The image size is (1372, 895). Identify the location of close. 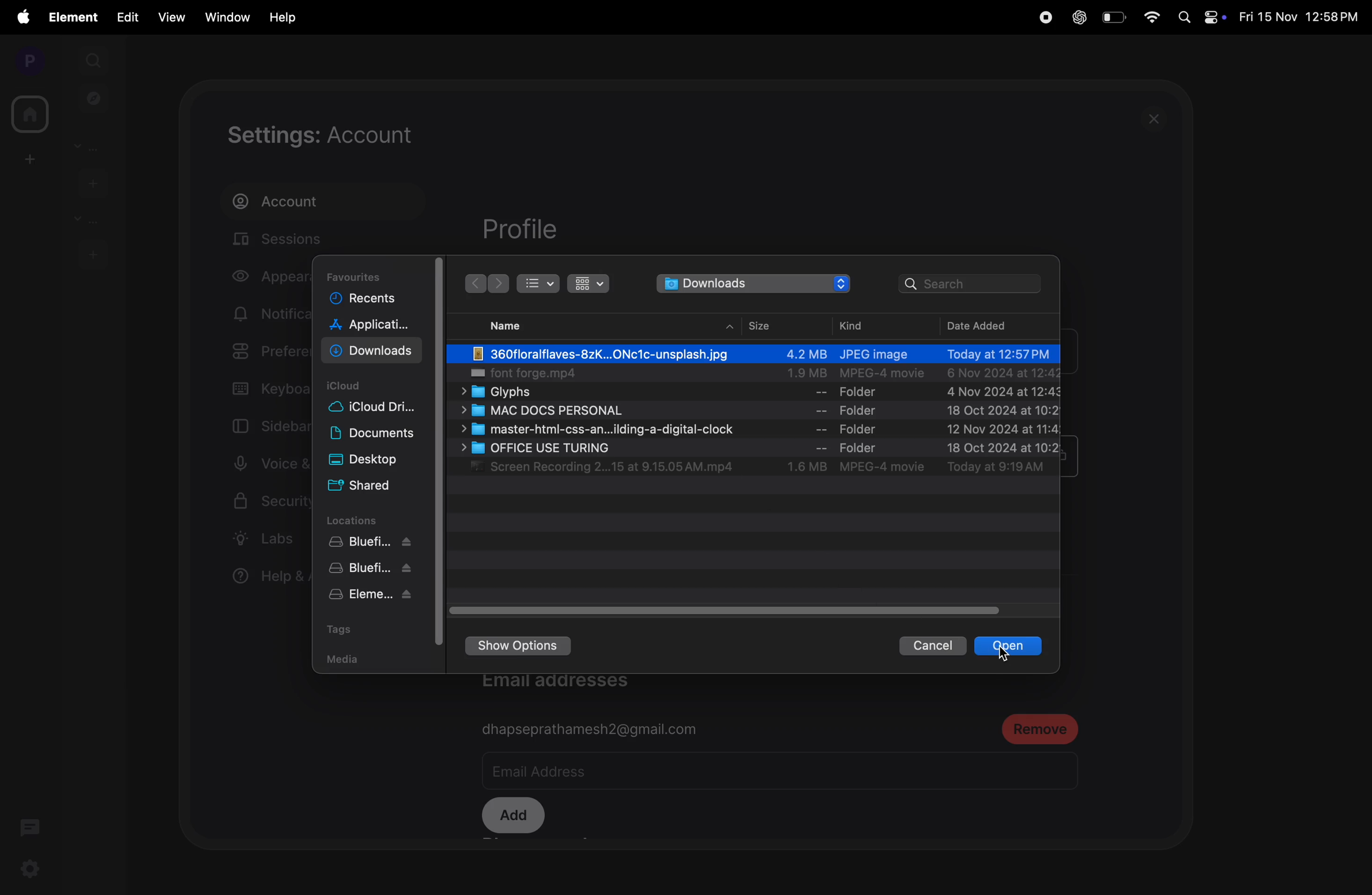
(1158, 118).